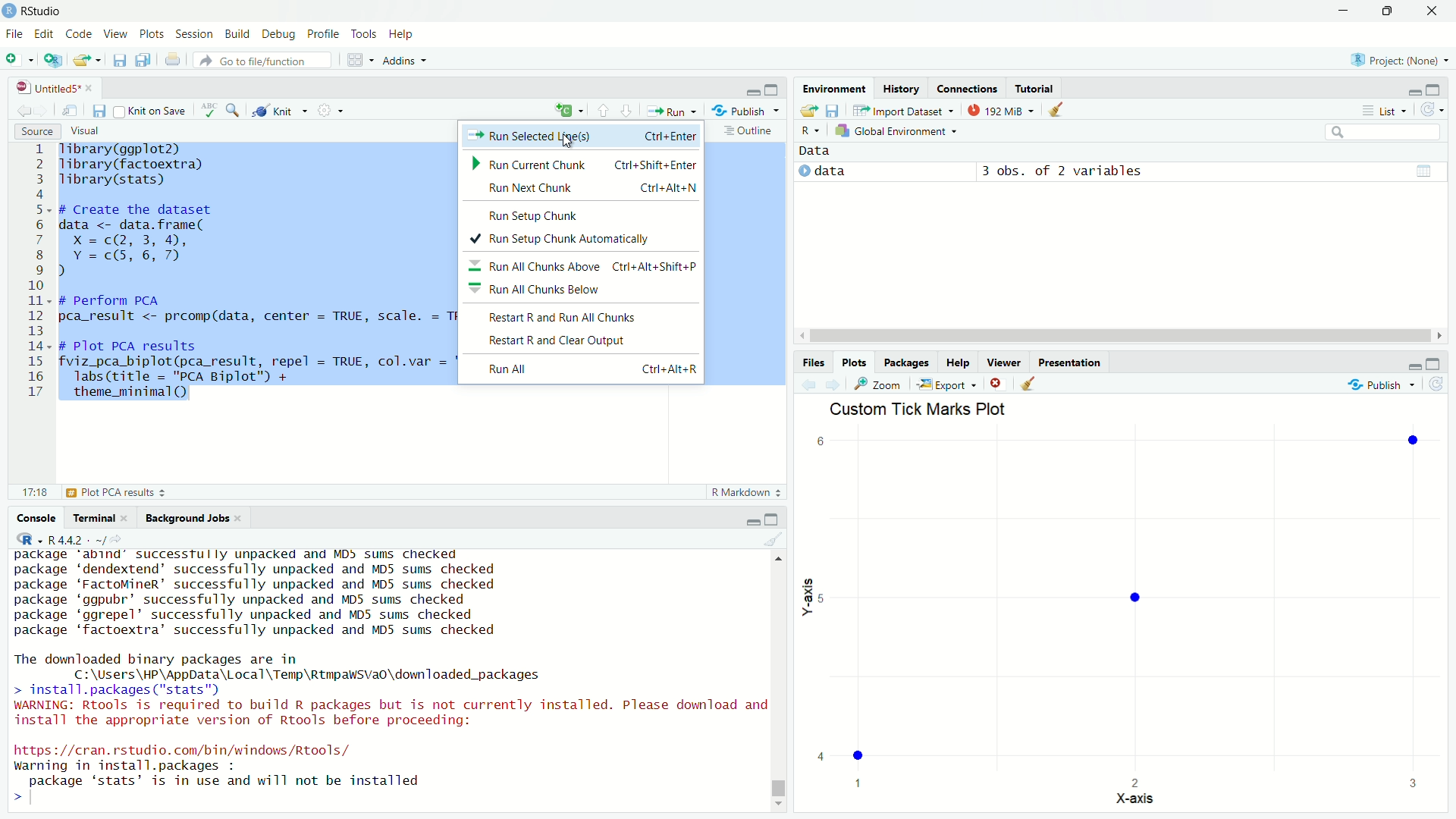  What do you see at coordinates (211, 110) in the screenshot?
I see `spelling check` at bounding box center [211, 110].